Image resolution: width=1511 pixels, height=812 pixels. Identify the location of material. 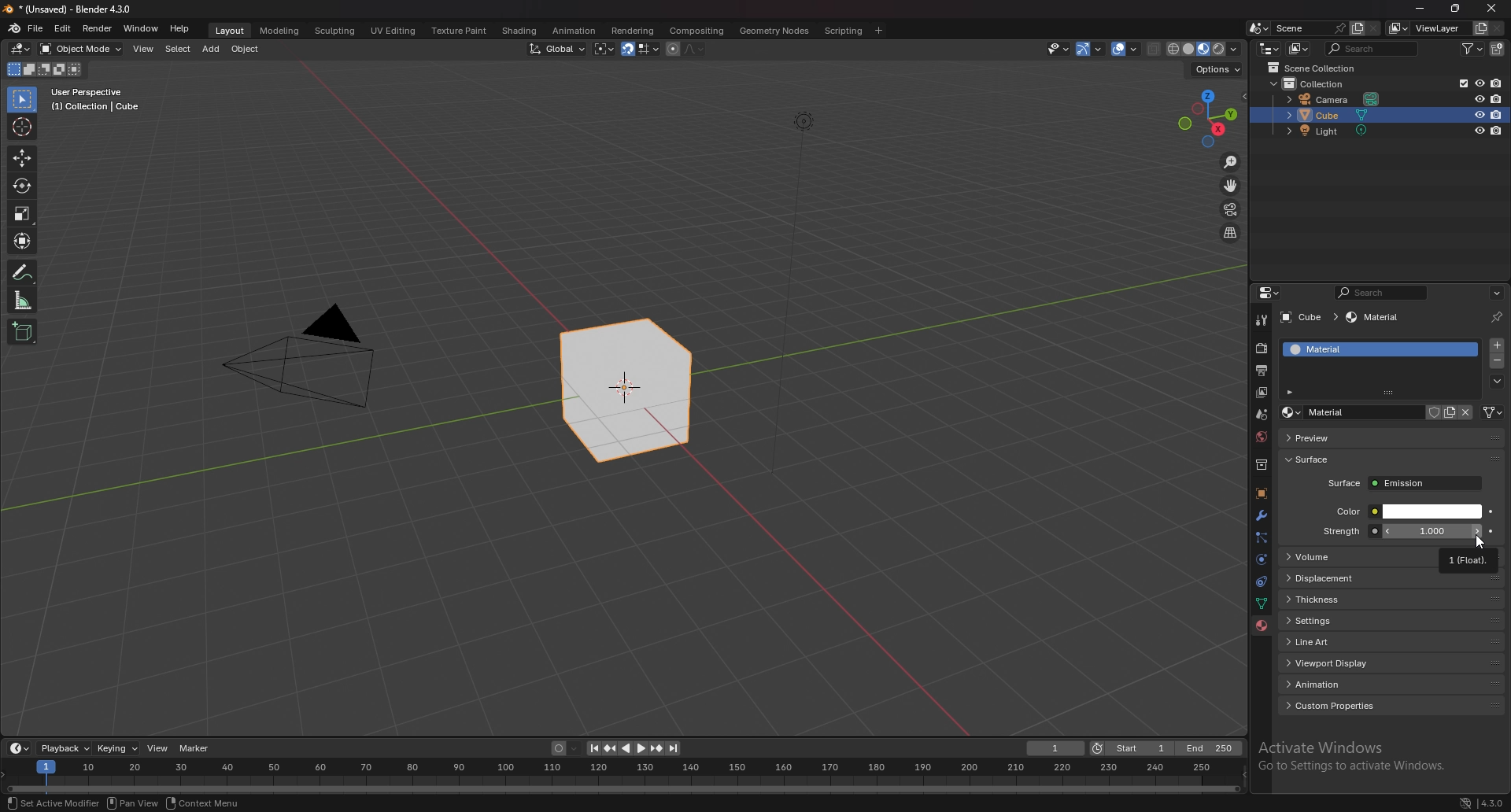
(1362, 349).